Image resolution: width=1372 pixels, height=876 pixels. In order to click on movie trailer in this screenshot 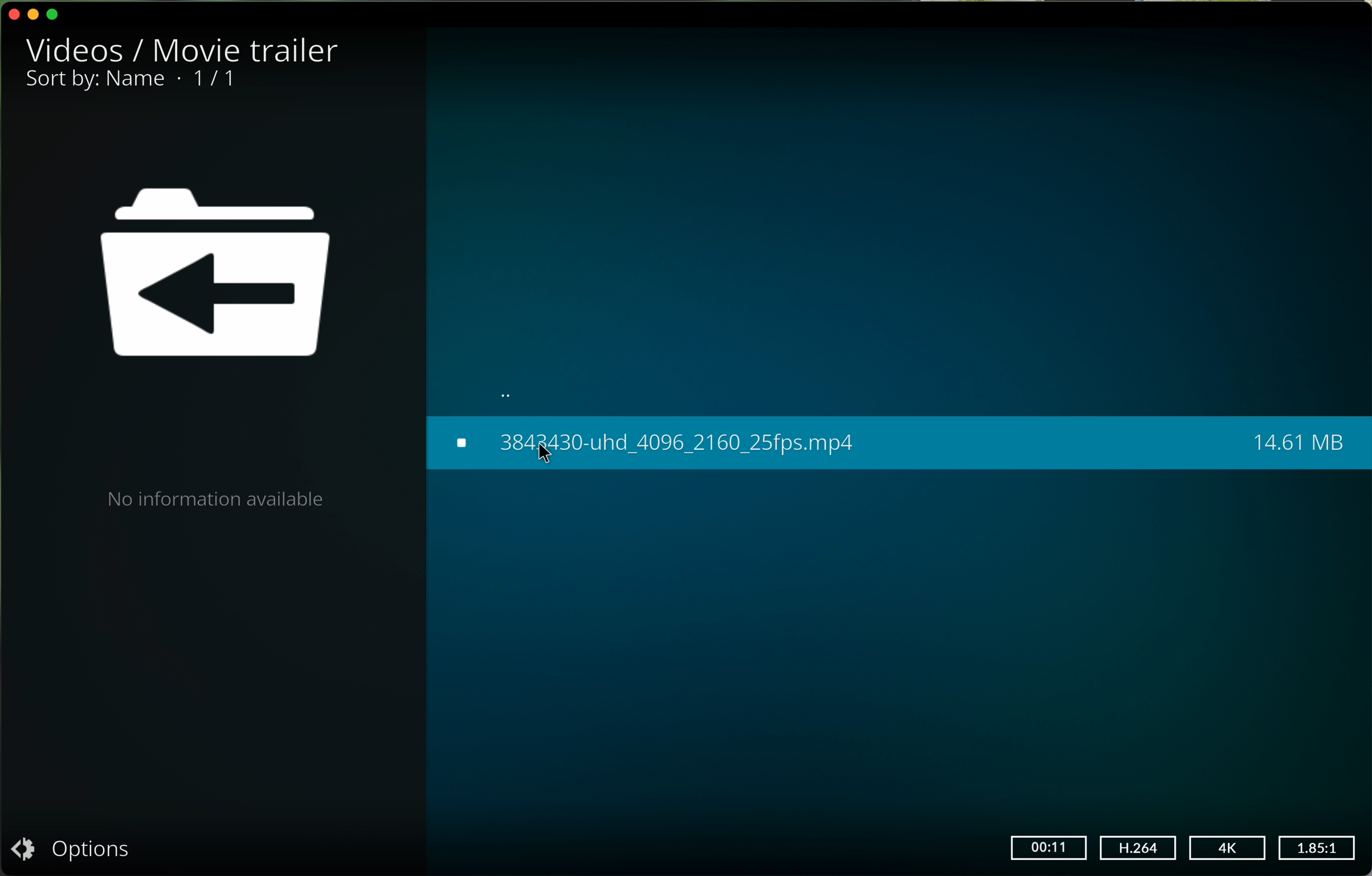, I will do `click(247, 48)`.